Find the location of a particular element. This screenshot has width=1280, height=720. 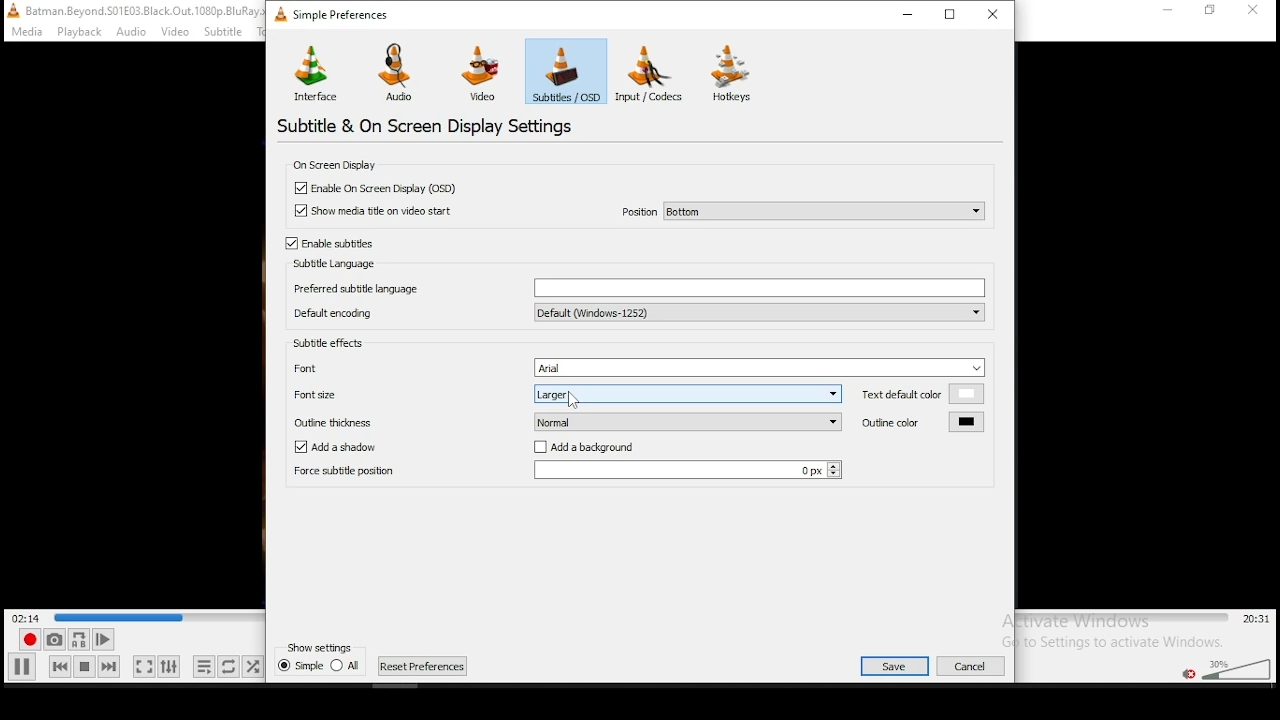

subtitle language is located at coordinates (331, 264).